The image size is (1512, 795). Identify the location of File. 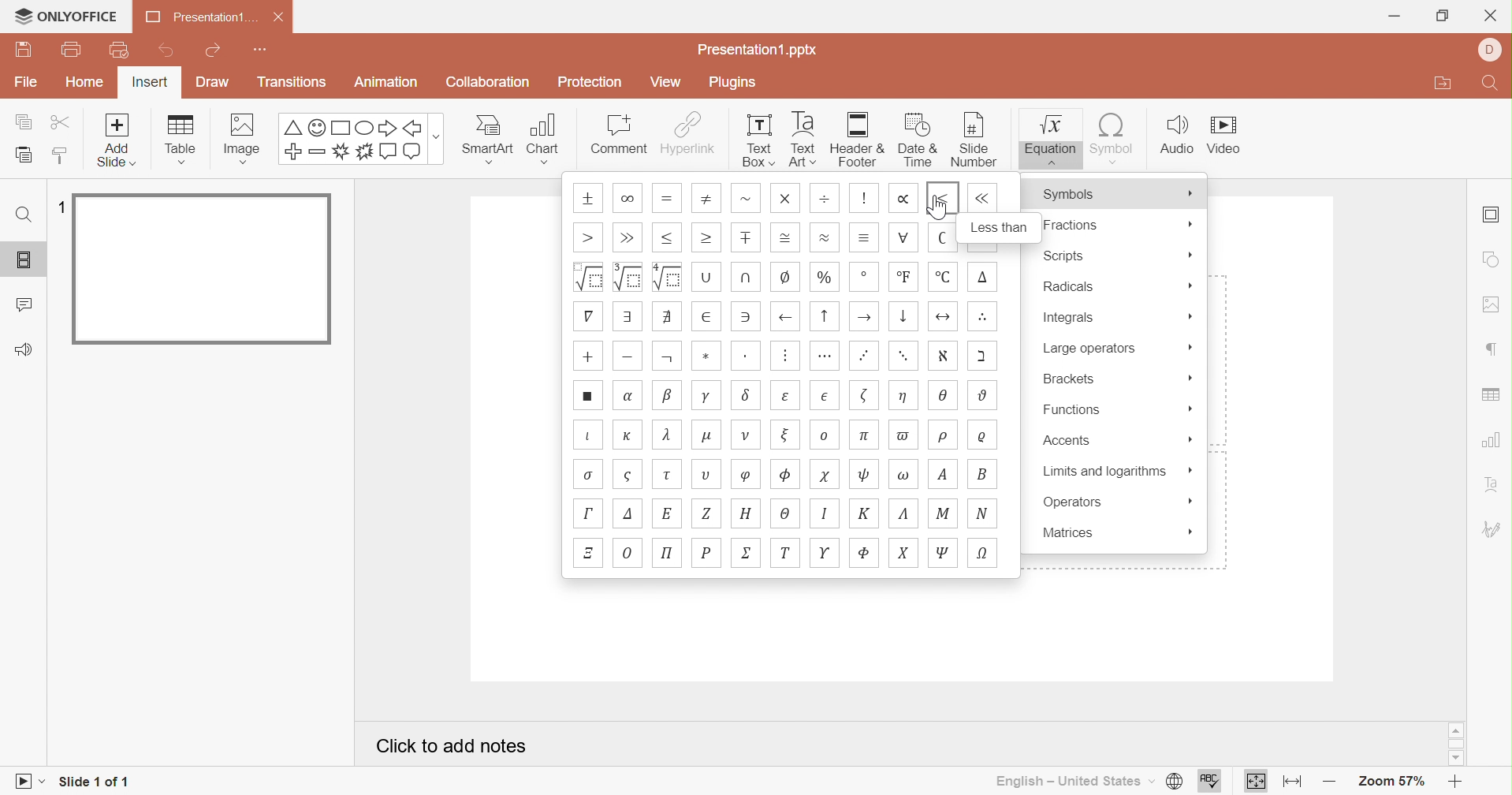
(28, 84).